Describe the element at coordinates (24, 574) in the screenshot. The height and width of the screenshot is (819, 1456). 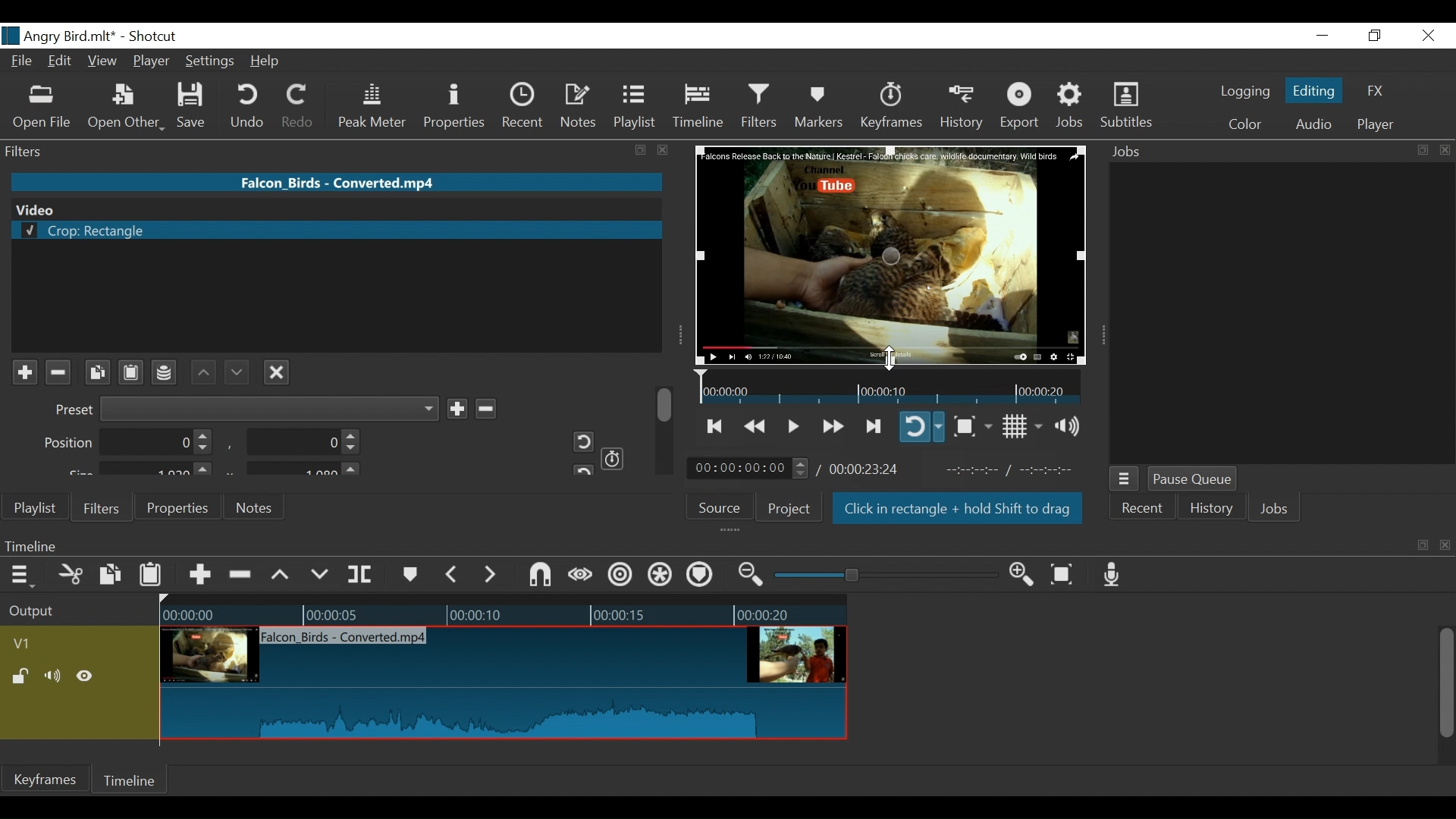
I see `Timeline menu` at that location.